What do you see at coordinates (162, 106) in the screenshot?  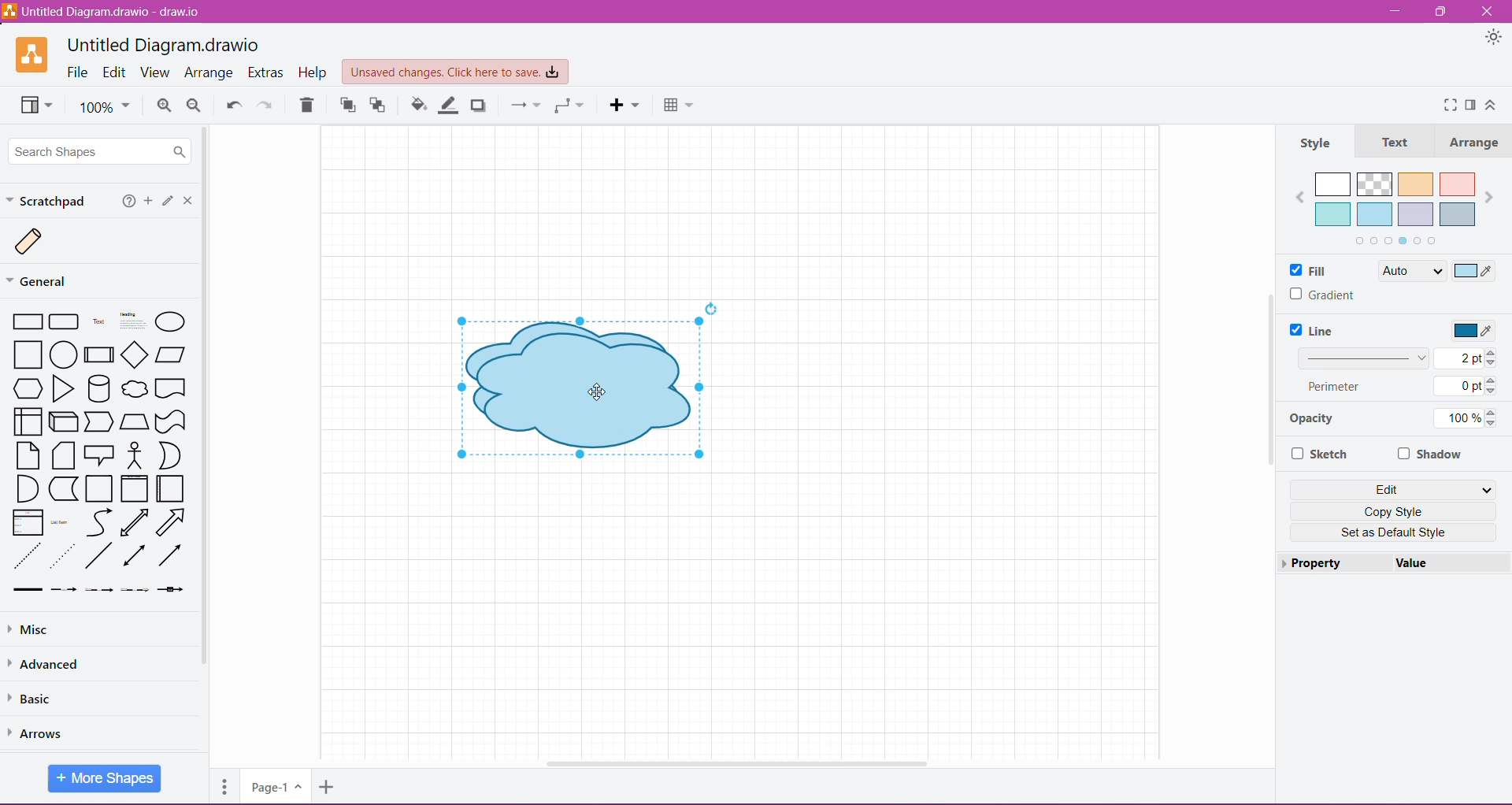 I see `Zoom In` at bounding box center [162, 106].